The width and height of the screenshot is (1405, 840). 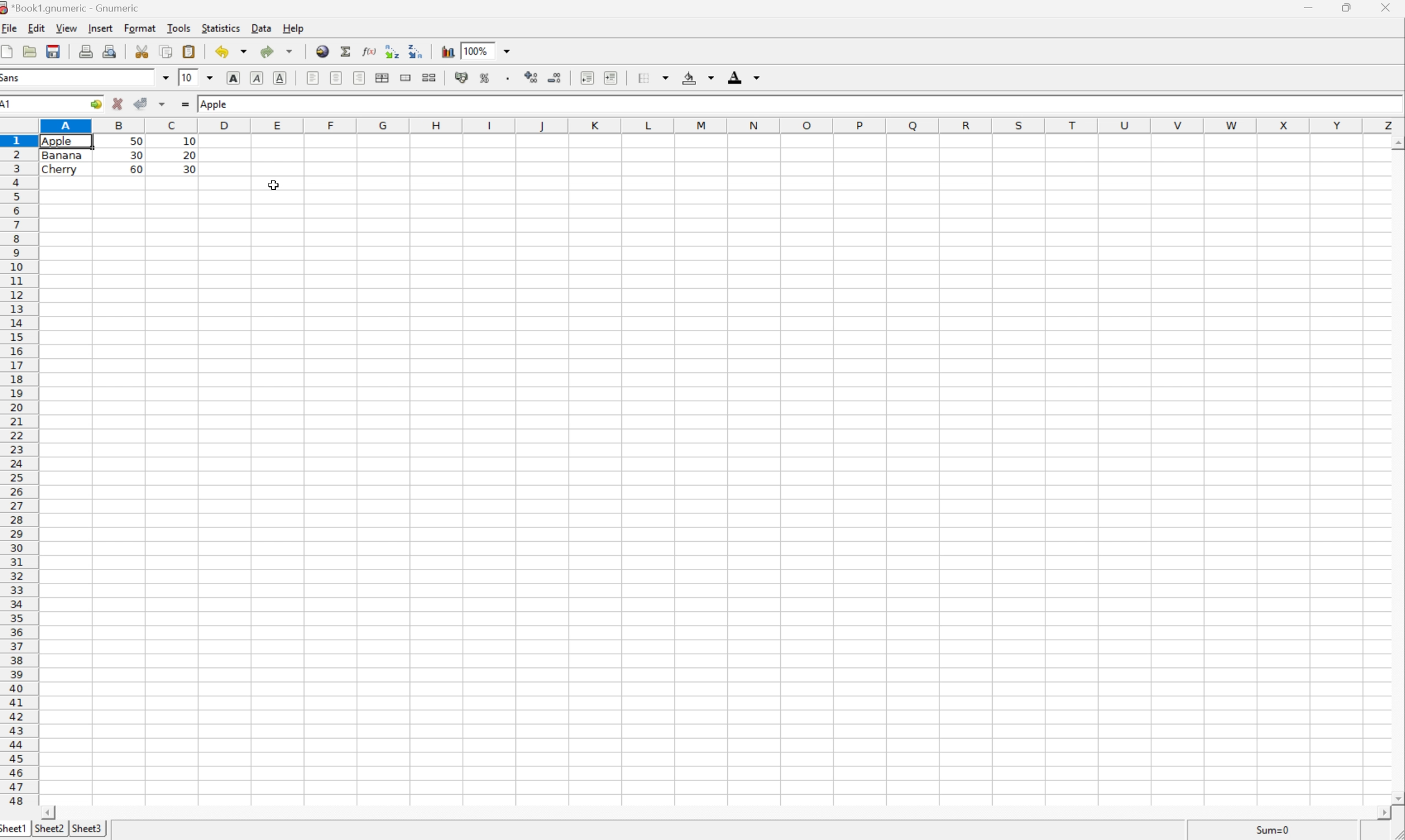 What do you see at coordinates (89, 829) in the screenshot?
I see `sheet3` at bounding box center [89, 829].